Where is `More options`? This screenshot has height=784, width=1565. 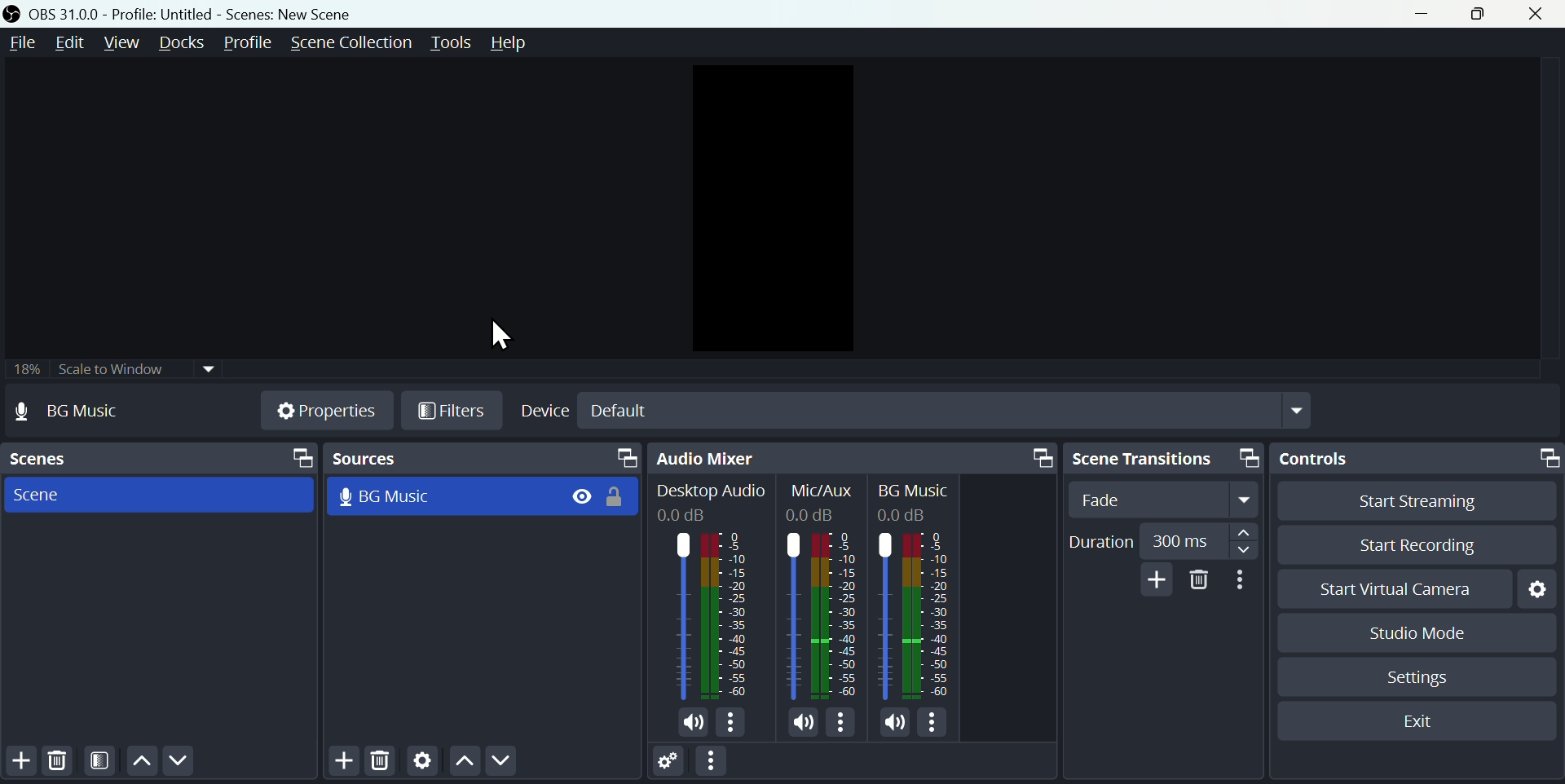 More options is located at coordinates (715, 761).